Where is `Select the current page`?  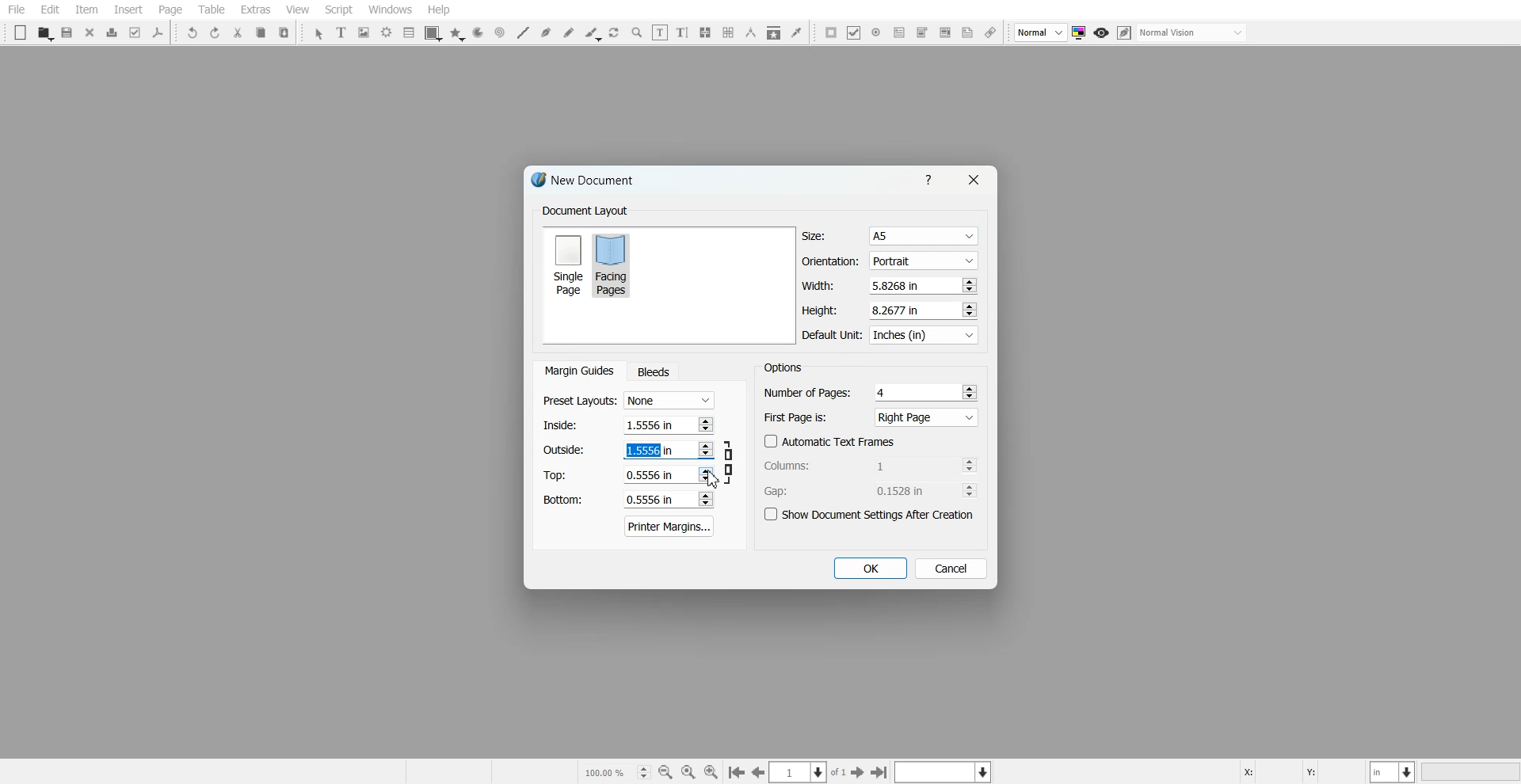 Select the current page is located at coordinates (809, 772).